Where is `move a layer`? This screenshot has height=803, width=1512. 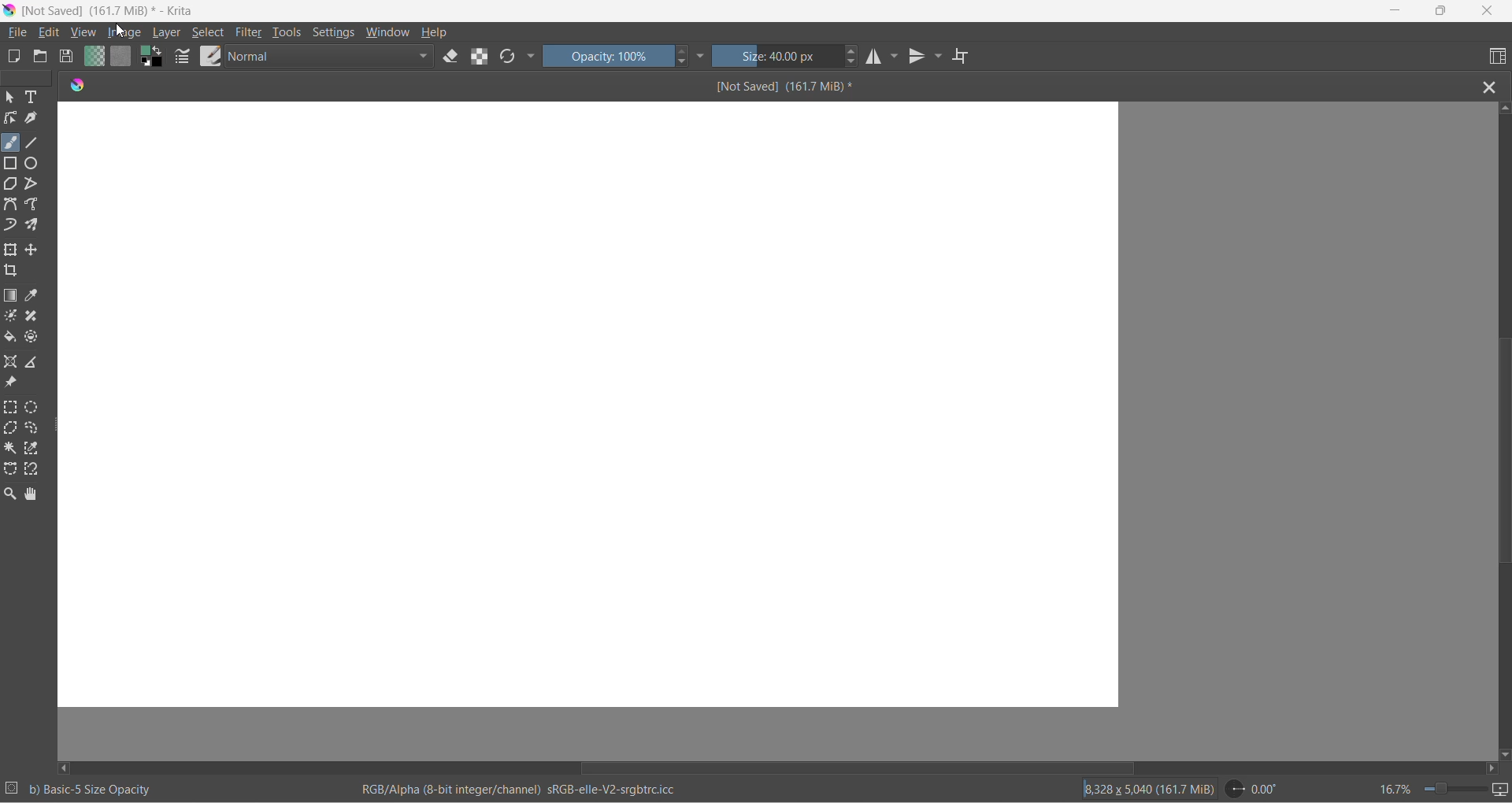 move a layer is located at coordinates (34, 250).